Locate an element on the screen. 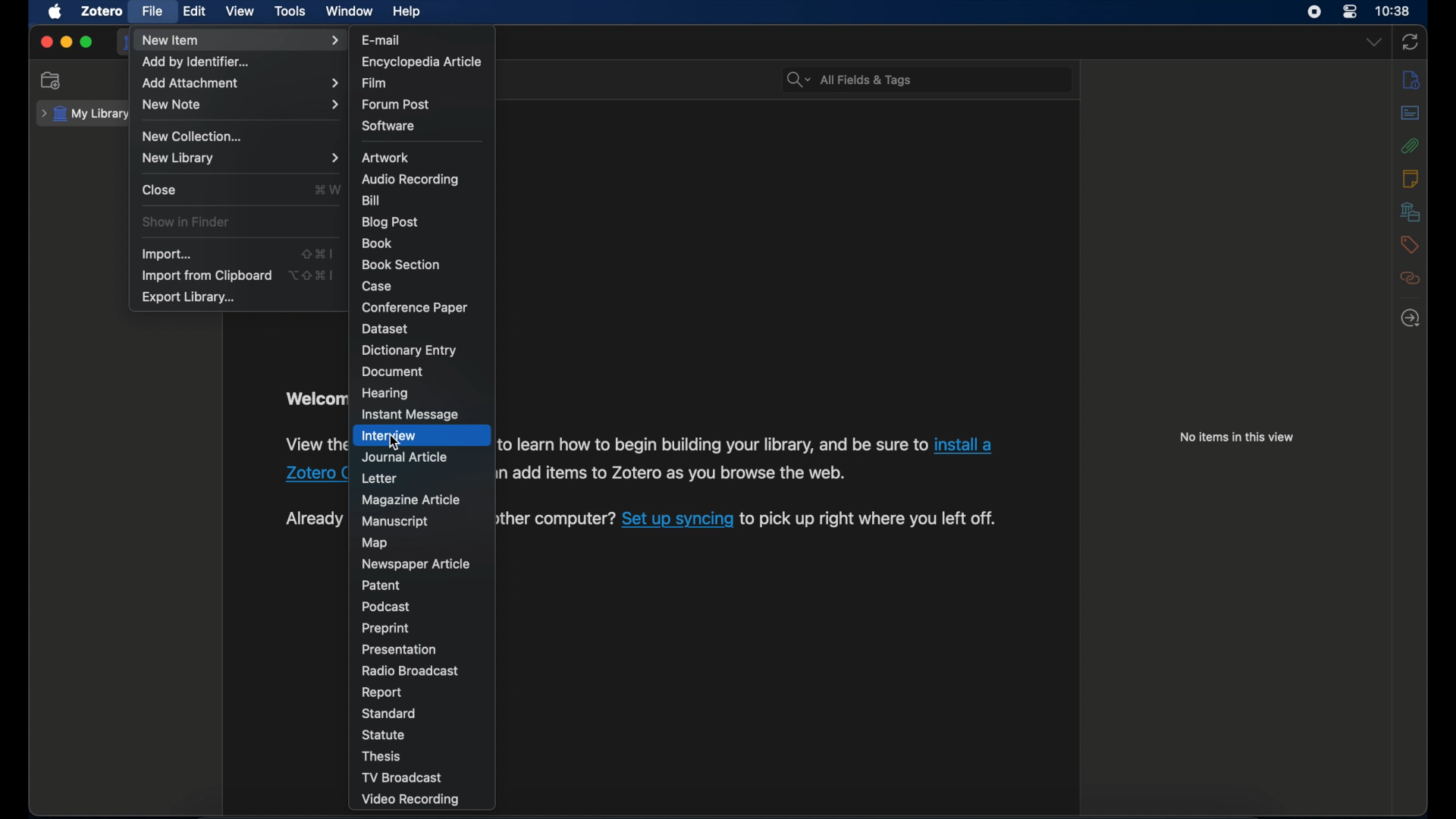  help is located at coordinates (408, 12).